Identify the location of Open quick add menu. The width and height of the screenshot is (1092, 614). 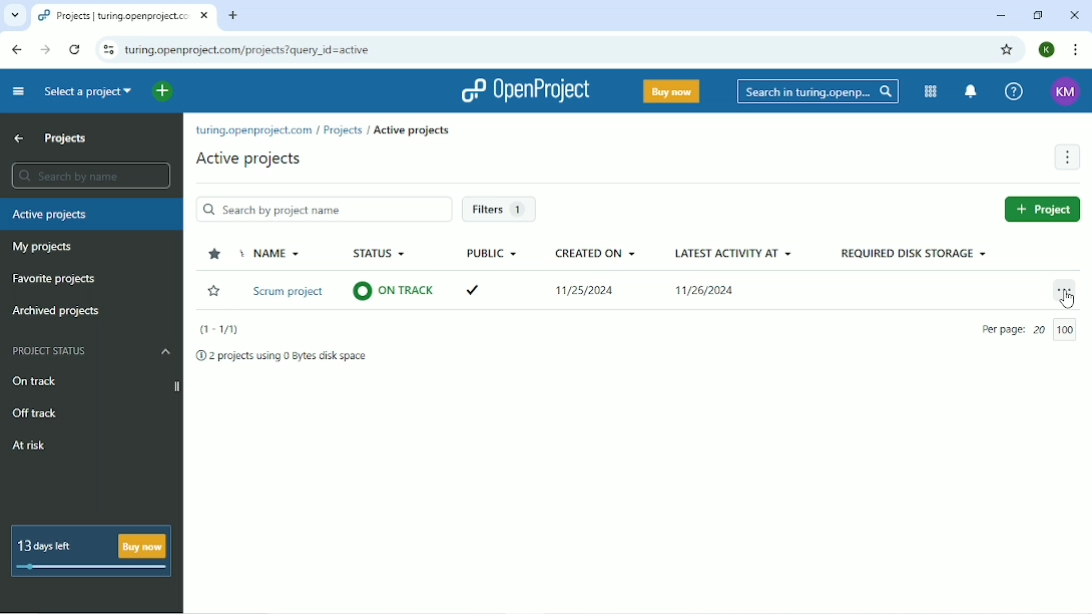
(163, 92).